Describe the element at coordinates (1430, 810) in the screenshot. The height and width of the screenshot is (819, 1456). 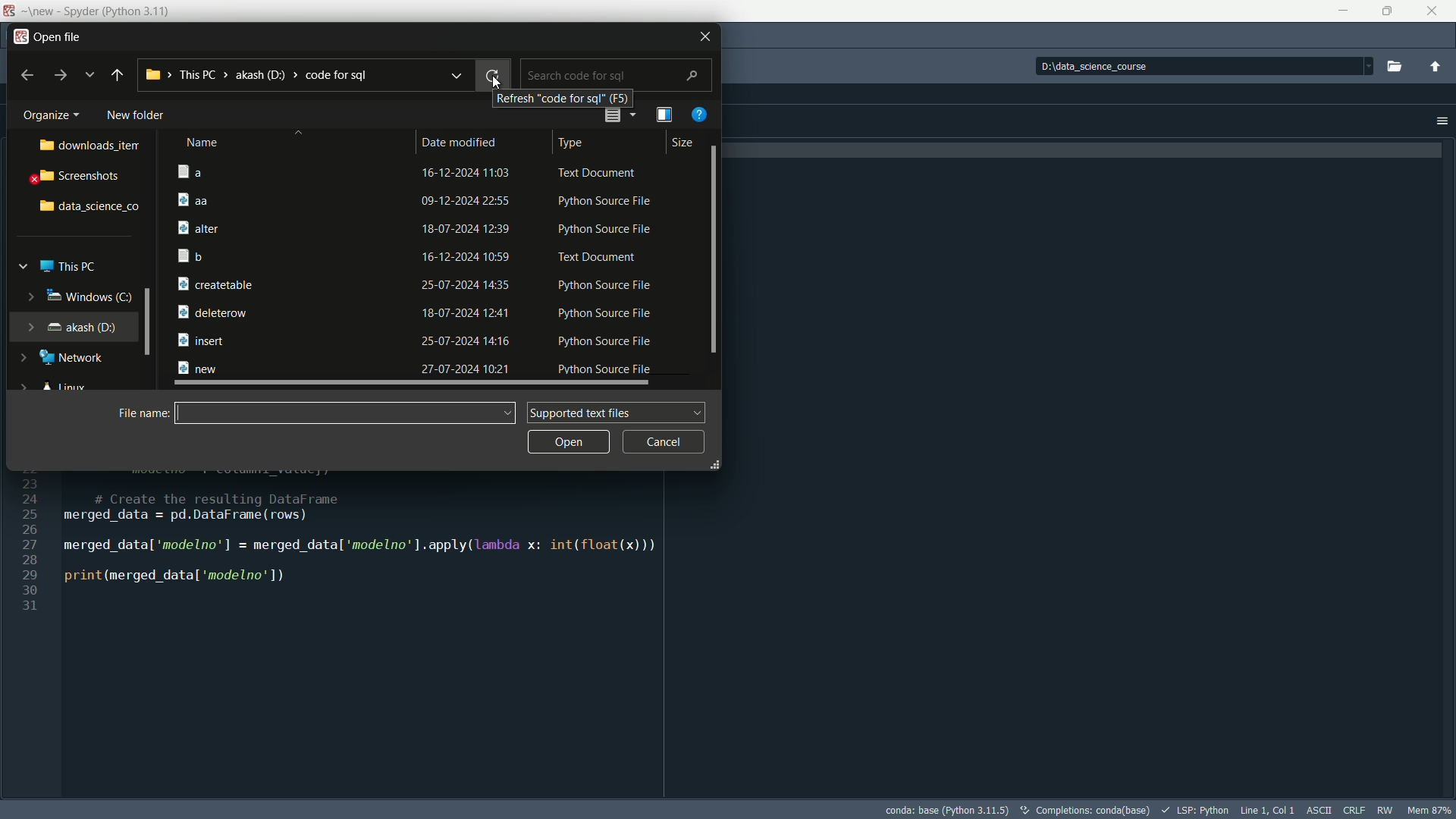
I see `memory usage` at that location.